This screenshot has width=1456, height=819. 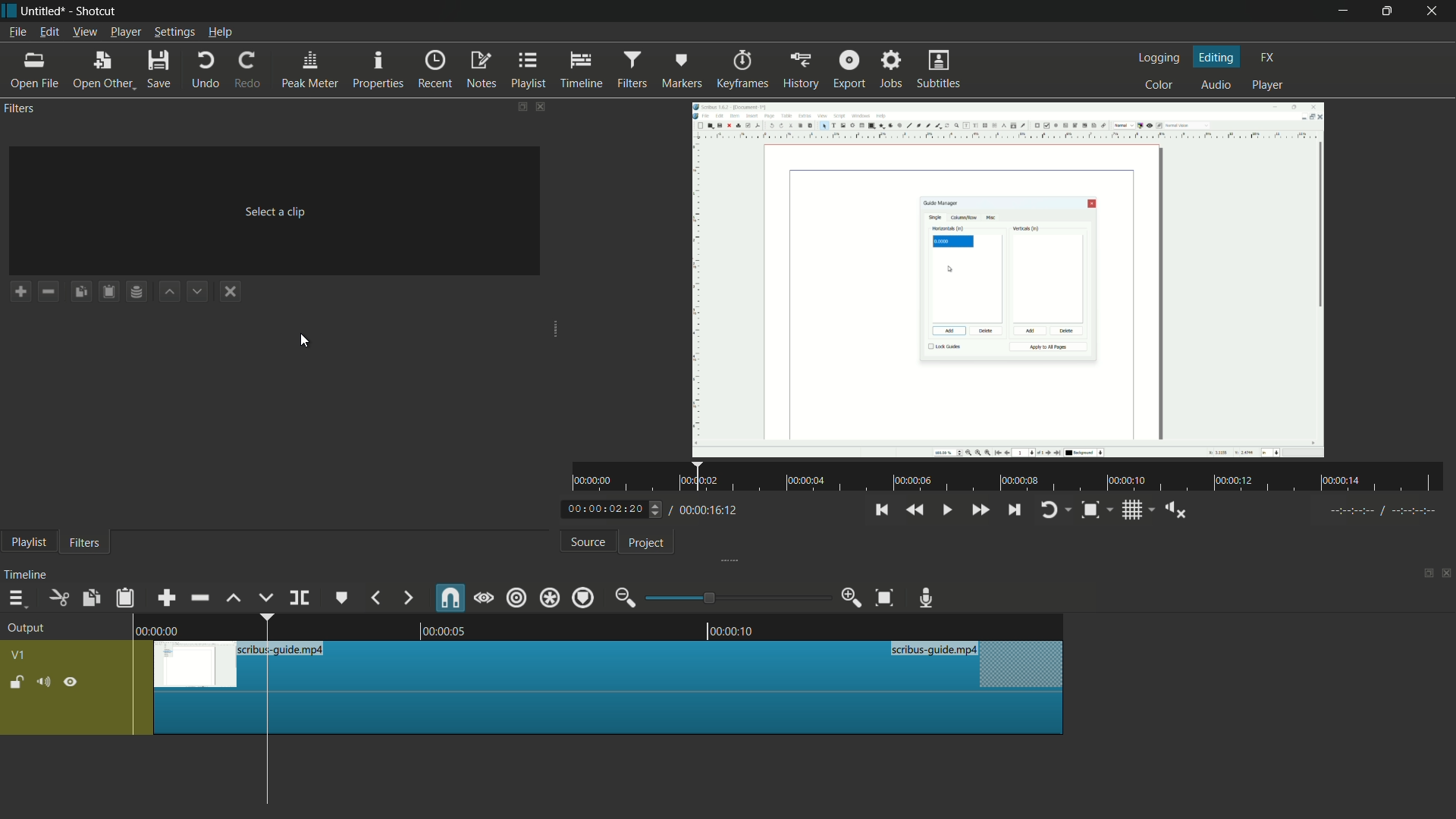 I want to click on video in timeline, so click(x=607, y=688).